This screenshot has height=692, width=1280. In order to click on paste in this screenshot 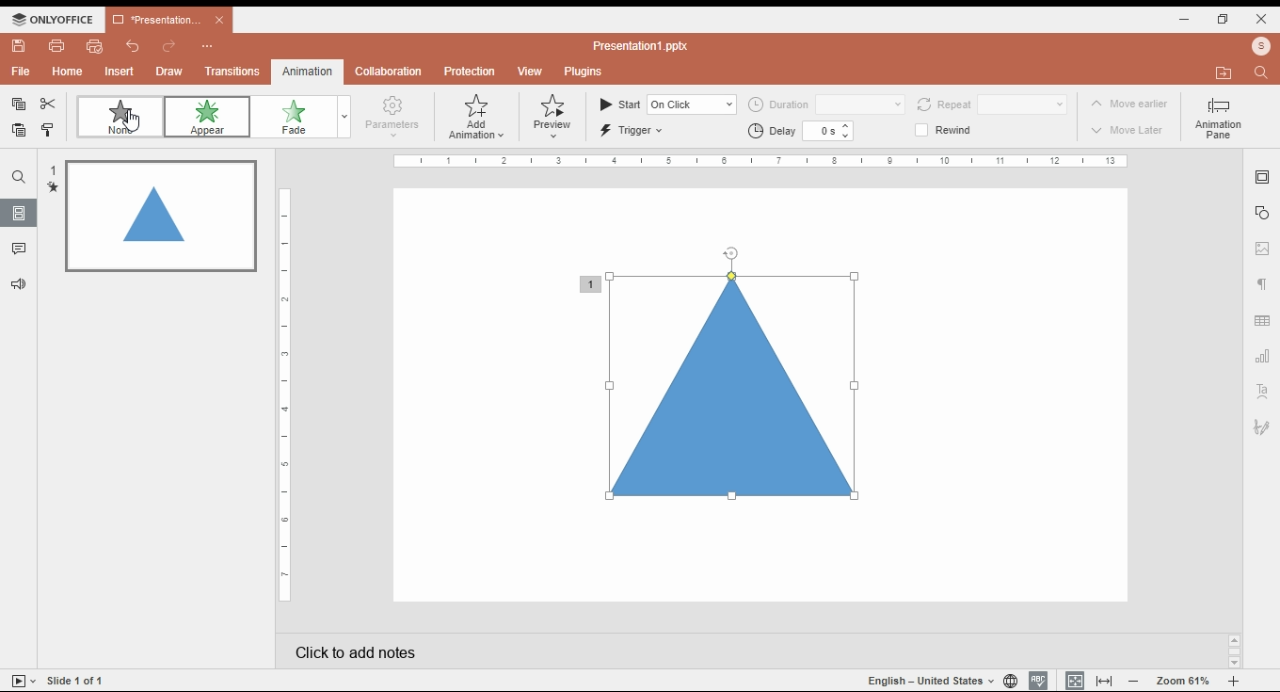, I will do `click(19, 129)`.